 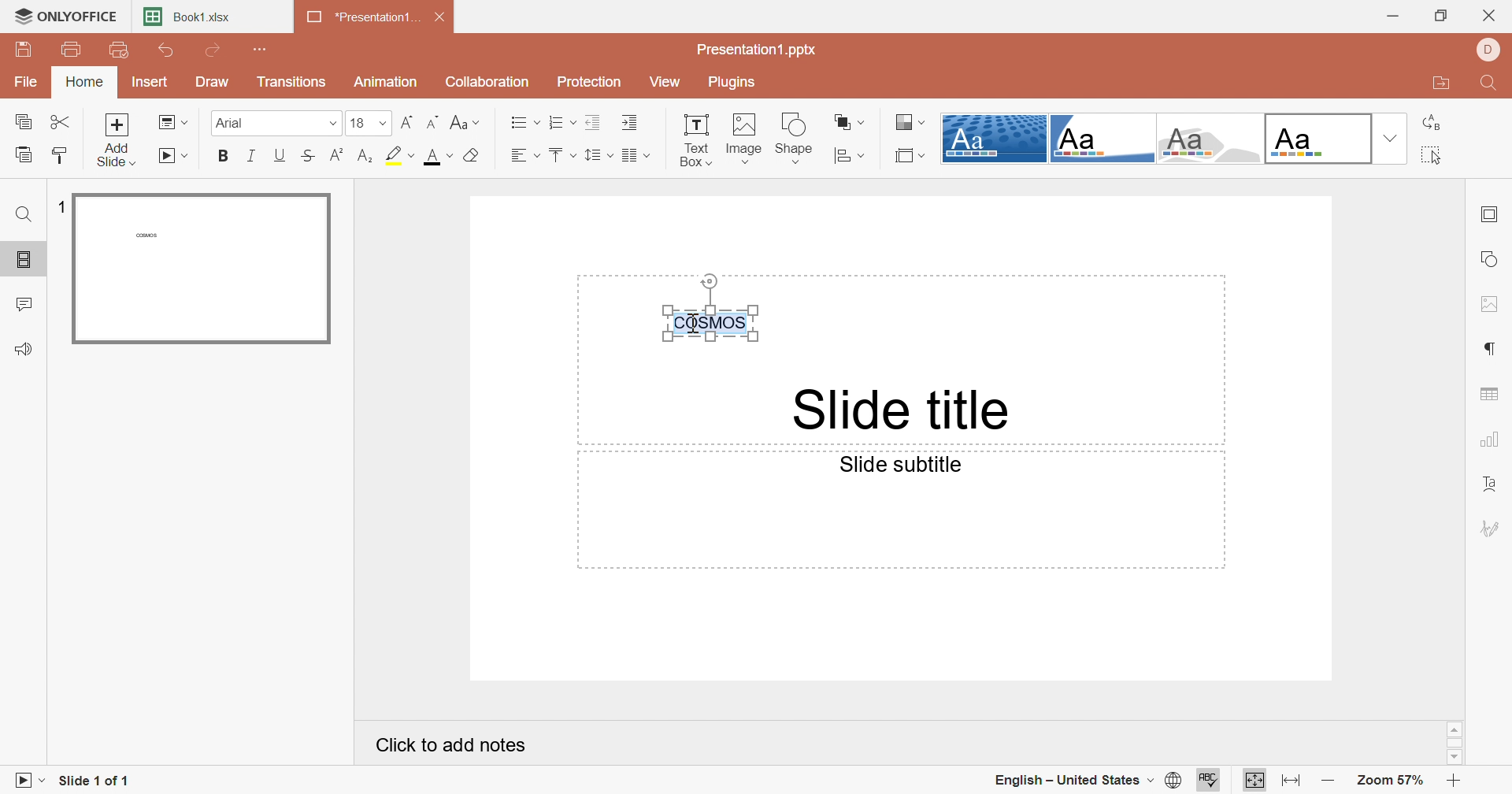 I want to click on Highlight color, so click(x=399, y=155).